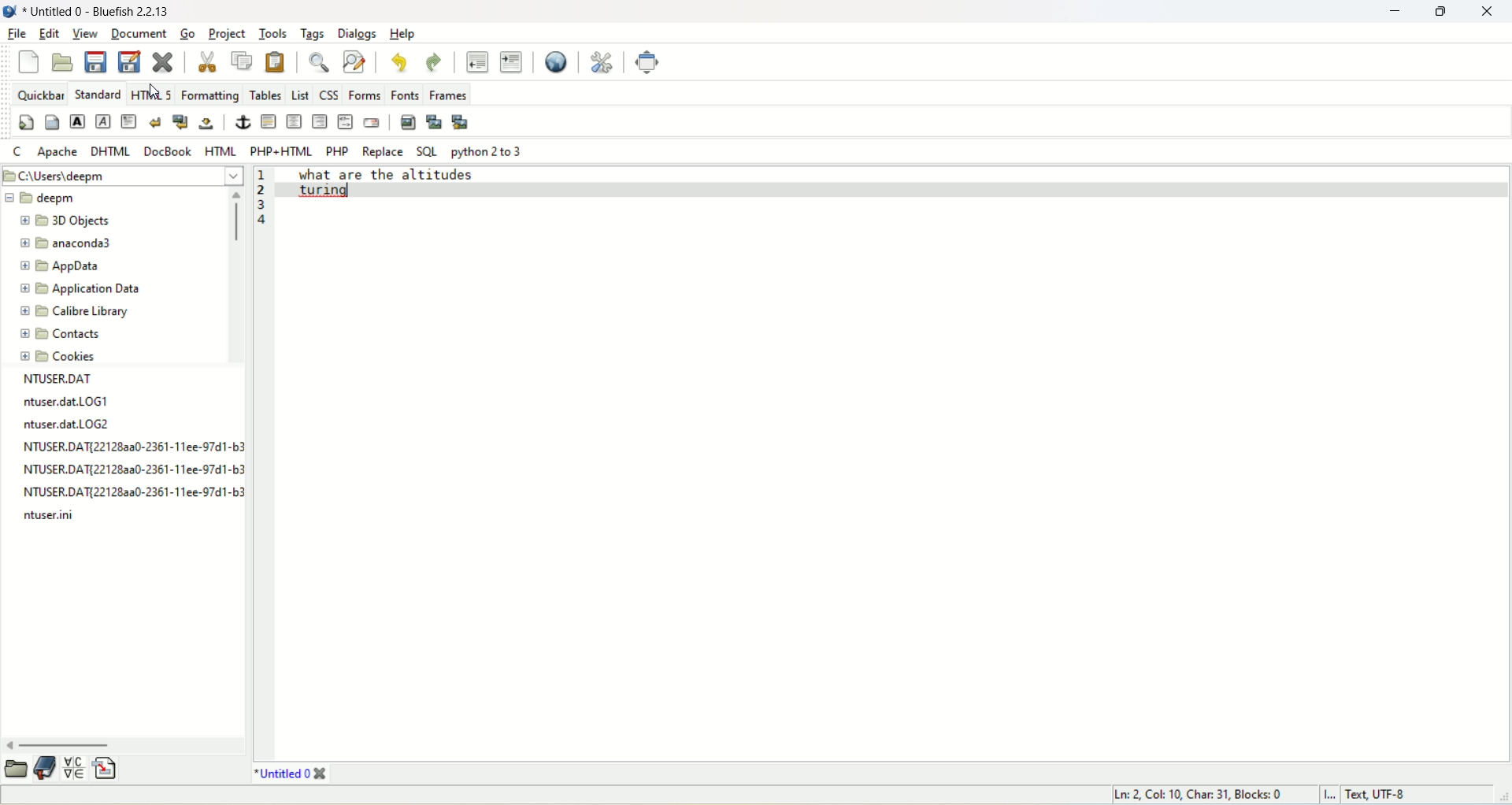  Describe the element at coordinates (345, 124) in the screenshot. I see `HTML comment` at that location.